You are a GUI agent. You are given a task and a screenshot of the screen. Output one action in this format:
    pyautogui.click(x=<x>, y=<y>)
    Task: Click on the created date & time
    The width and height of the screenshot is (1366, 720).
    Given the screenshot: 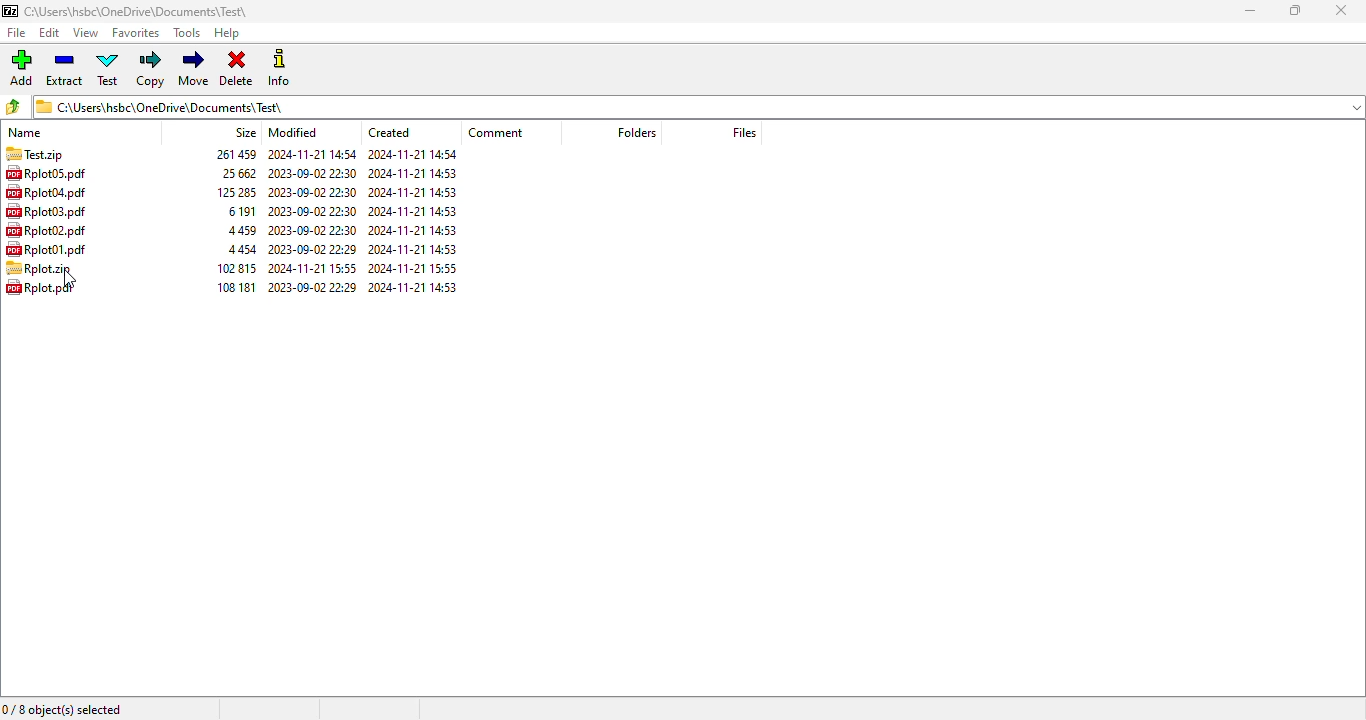 What is the action you would take?
    pyautogui.click(x=413, y=220)
    